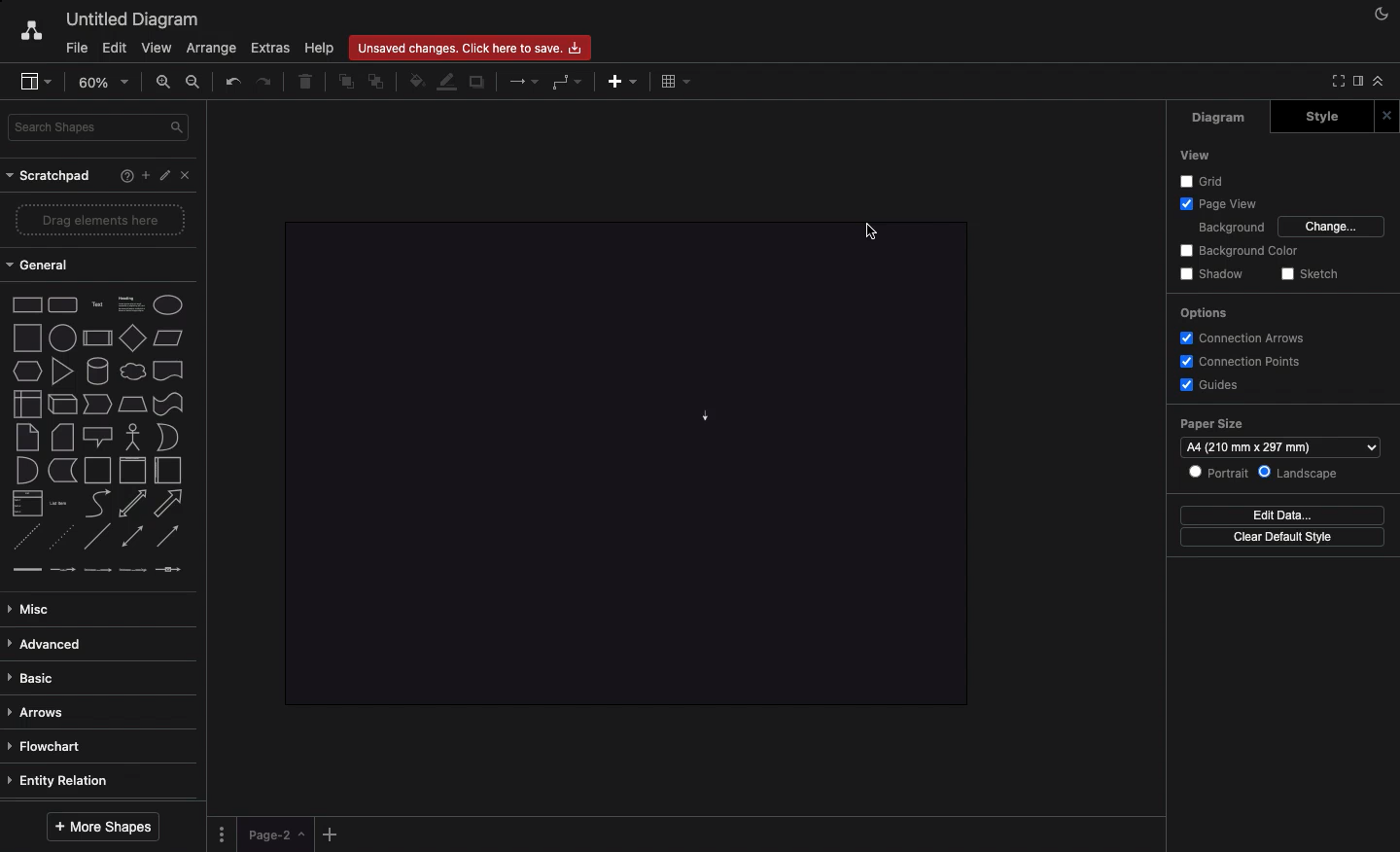 This screenshot has width=1400, height=852. I want to click on Fill, so click(415, 82).